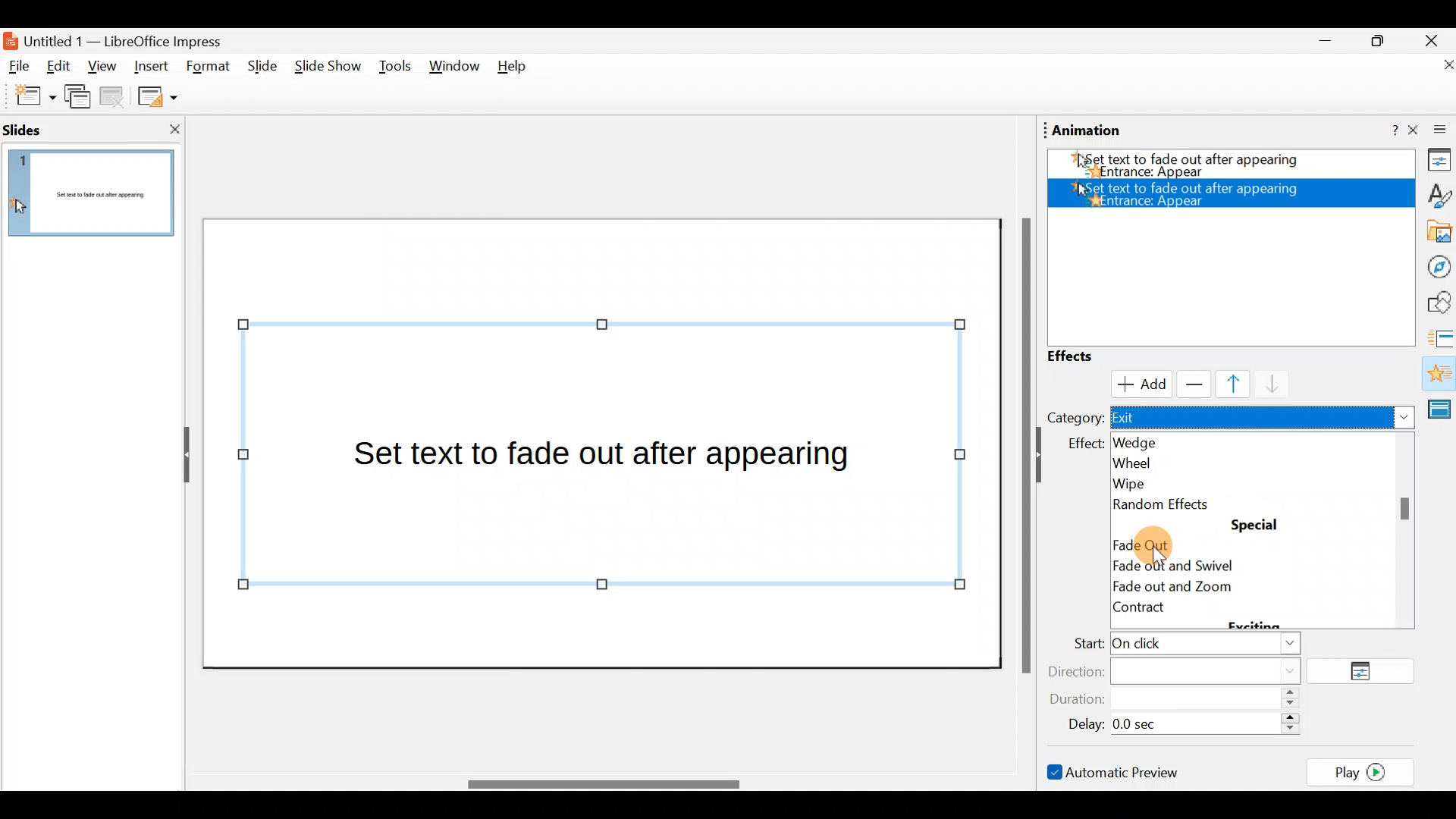 Image resolution: width=1456 pixels, height=819 pixels. Describe the element at coordinates (1116, 771) in the screenshot. I see `Automatic preview` at that location.